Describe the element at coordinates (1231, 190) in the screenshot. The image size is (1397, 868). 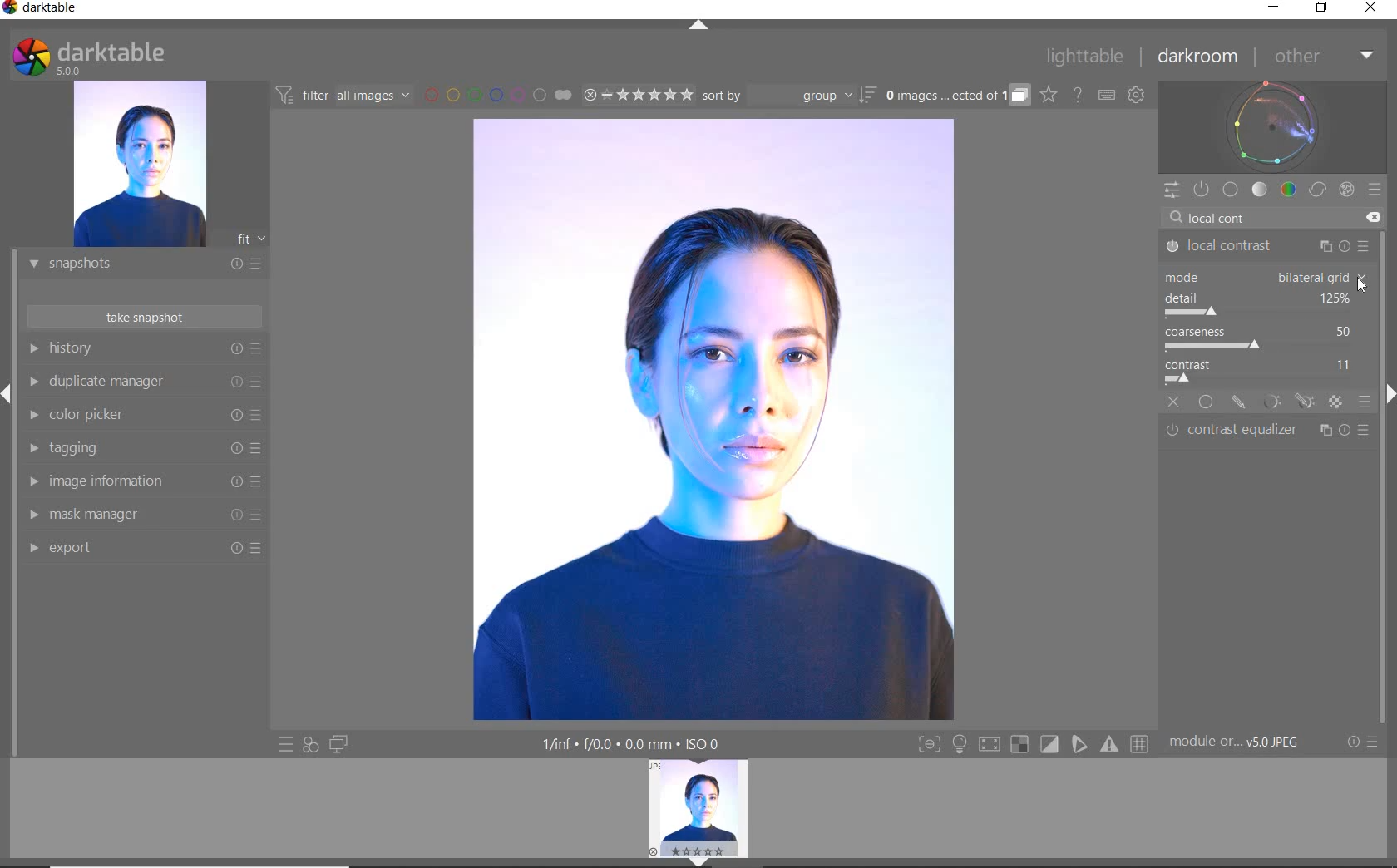
I see `BASE` at that location.